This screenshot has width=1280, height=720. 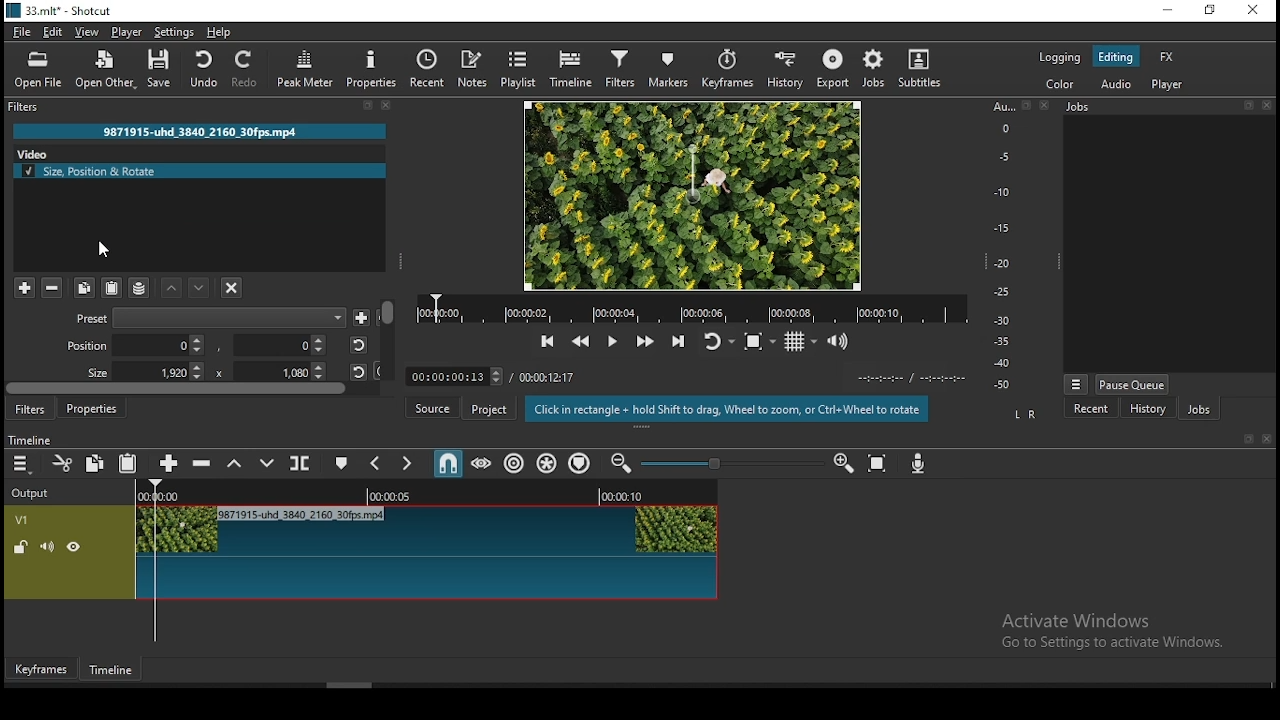 I want to click on ripple markers, so click(x=579, y=461).